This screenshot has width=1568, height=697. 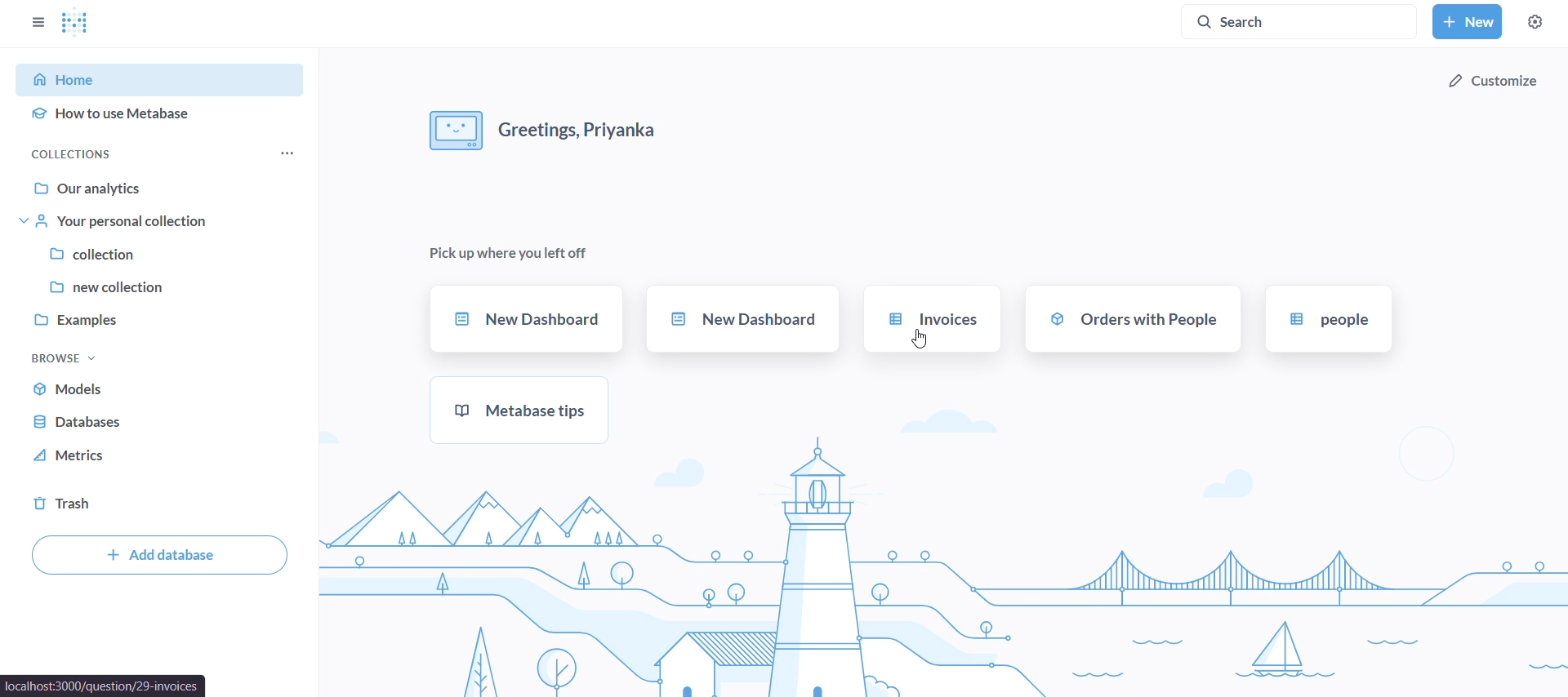 I want to click on pick up where you left off, so click(x=516, y=255).